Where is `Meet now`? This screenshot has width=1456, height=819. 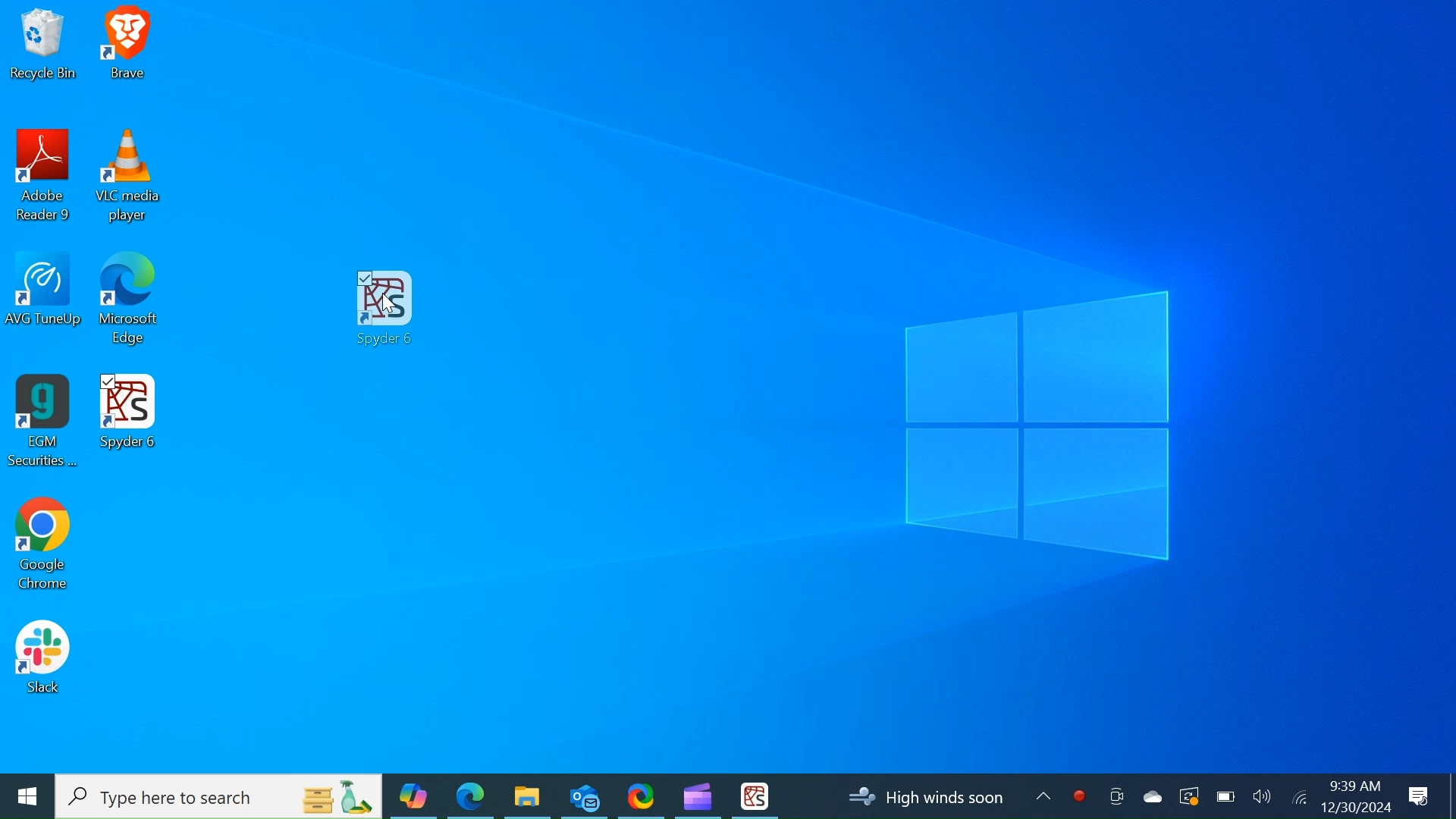 Meet now is located at coordinates (1116, 796).